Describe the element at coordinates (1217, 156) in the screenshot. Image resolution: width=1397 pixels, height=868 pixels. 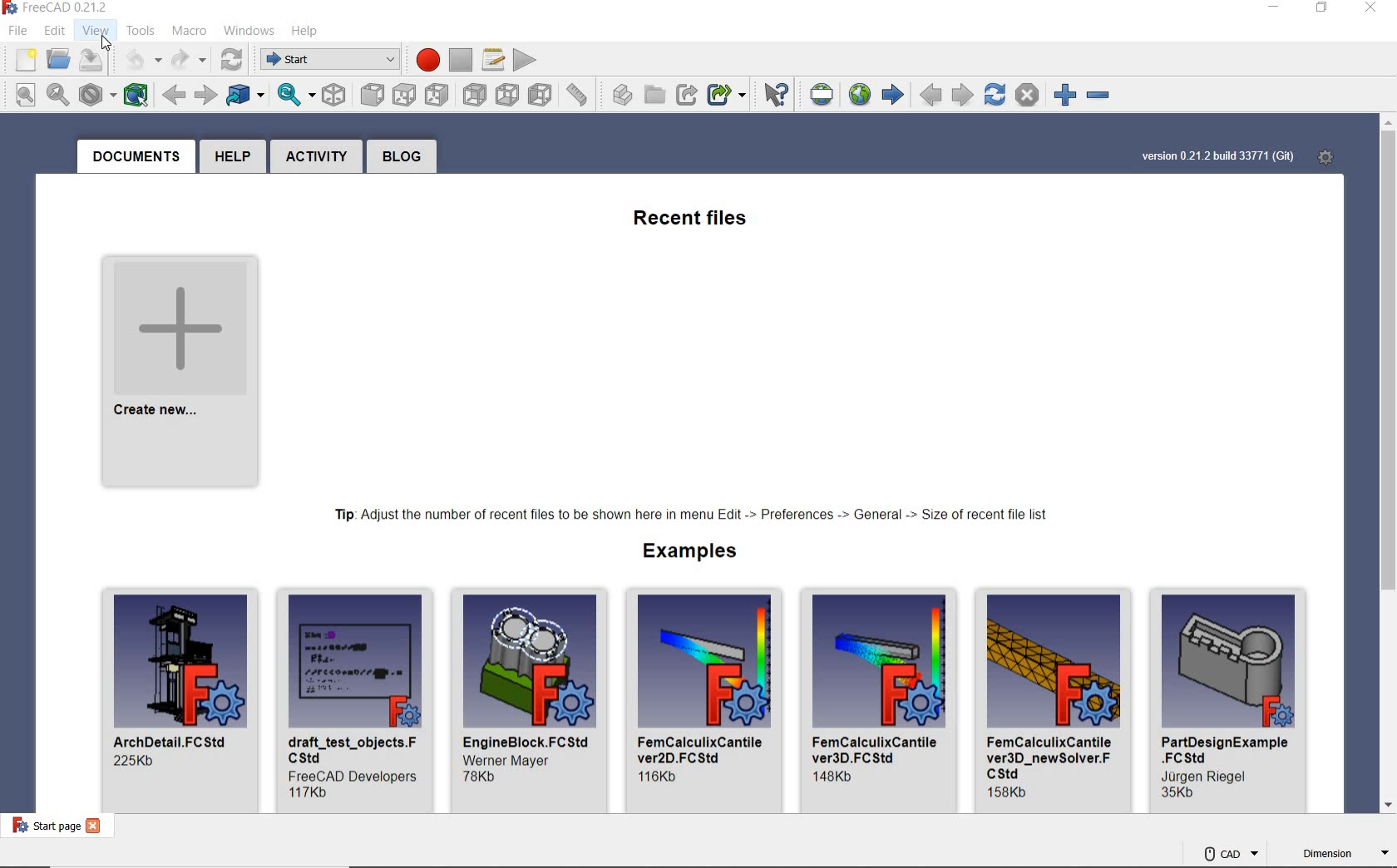
I see `system version info` at that location.